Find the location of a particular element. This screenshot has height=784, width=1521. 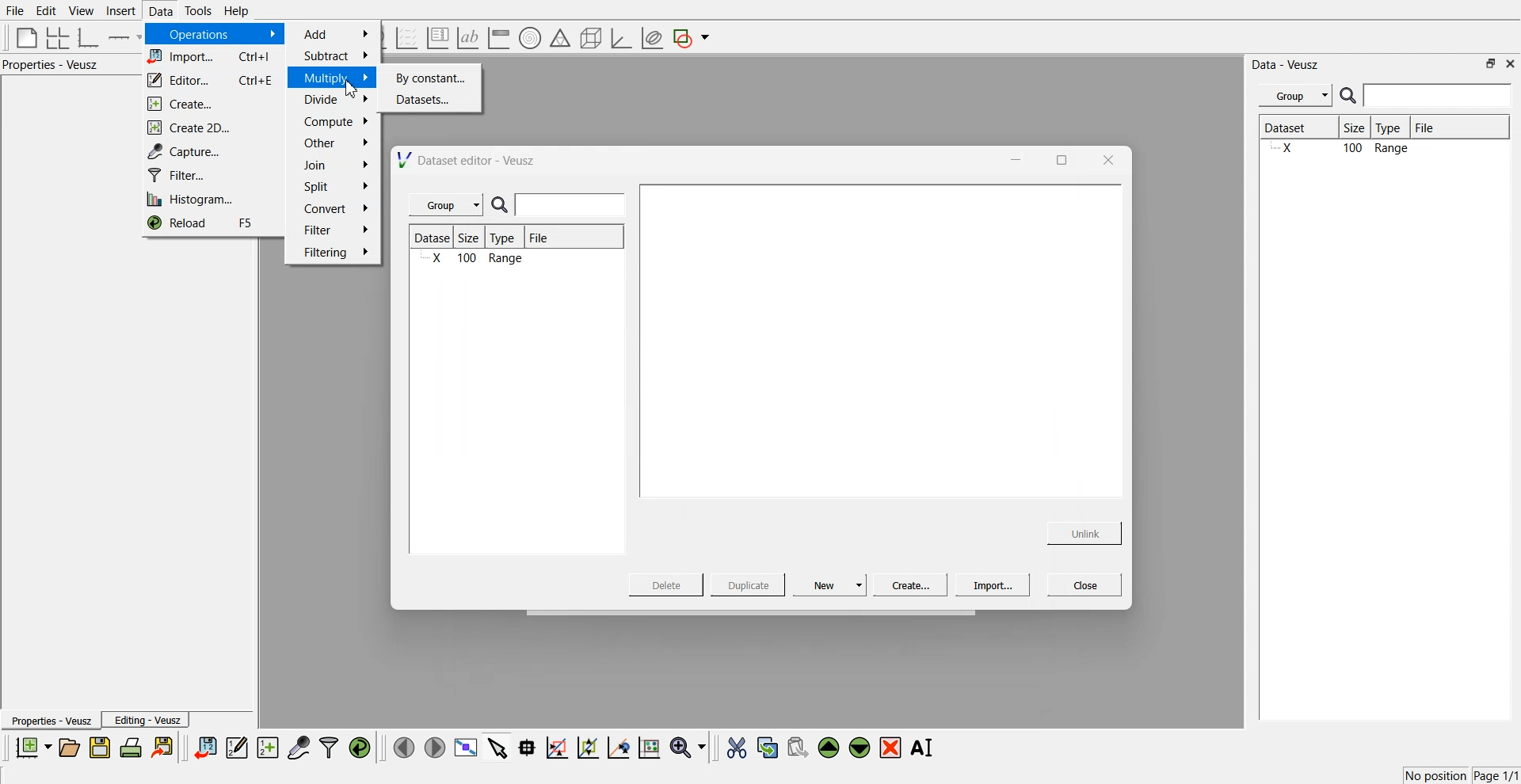

File is located at coordinates (540, 240).